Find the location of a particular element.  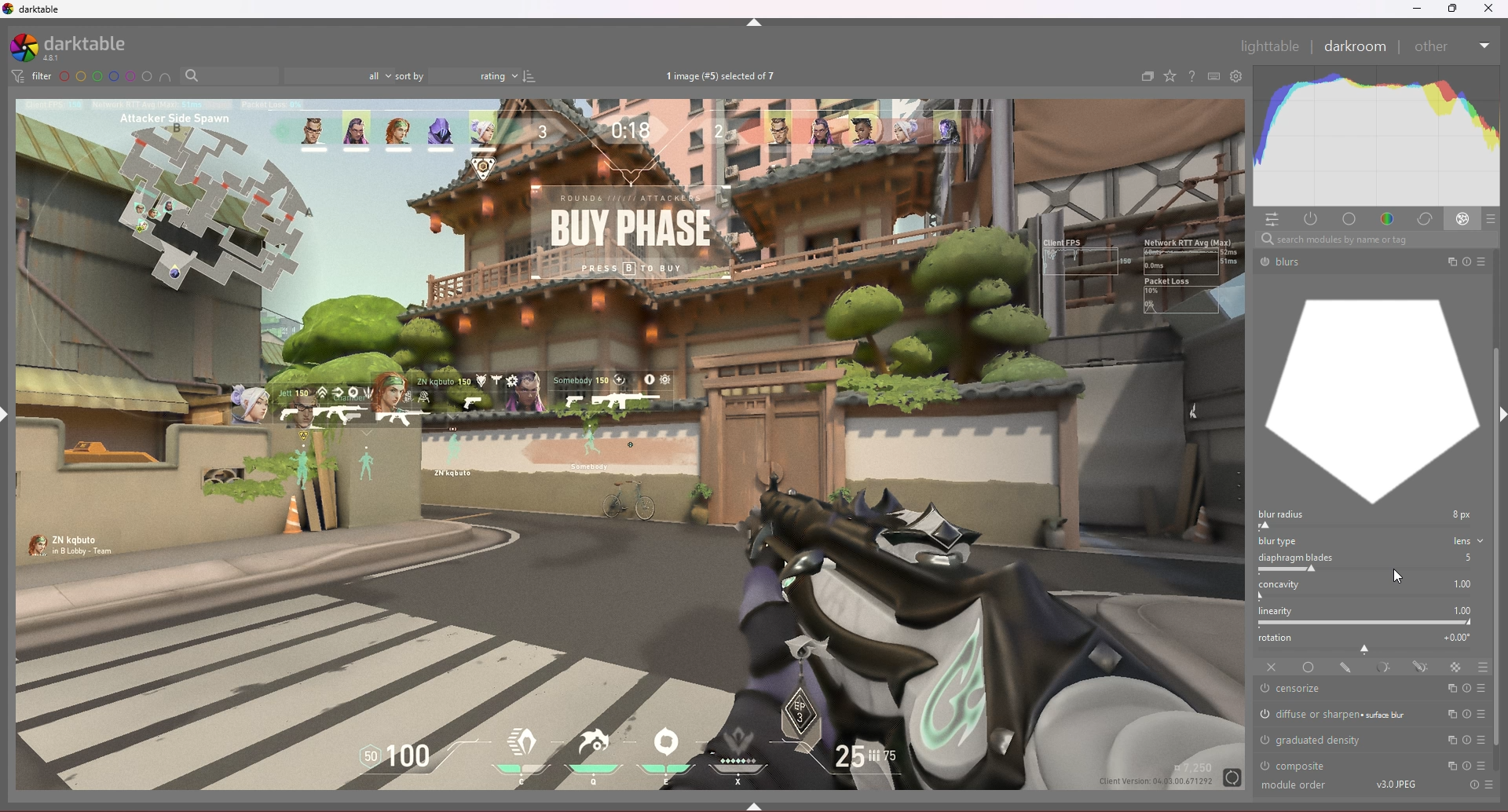

diffuse or sharpen is located at coordinates (1338, 715).